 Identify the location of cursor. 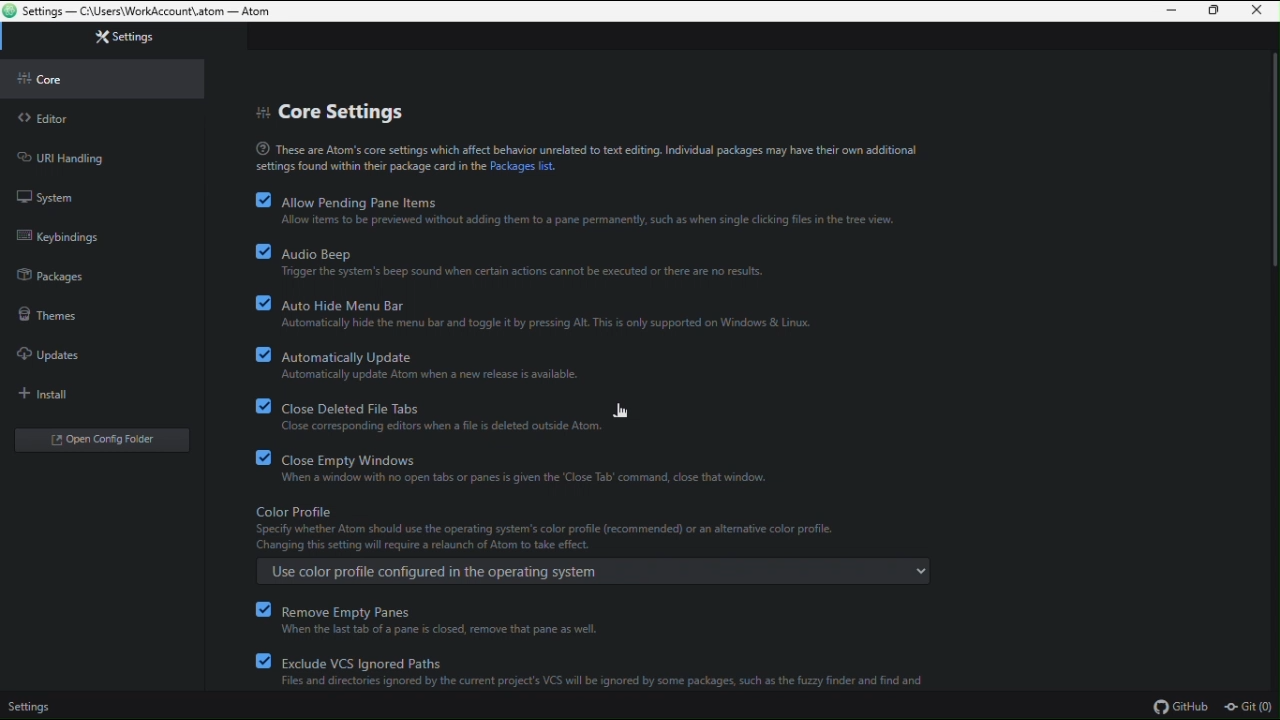
(622, 408).